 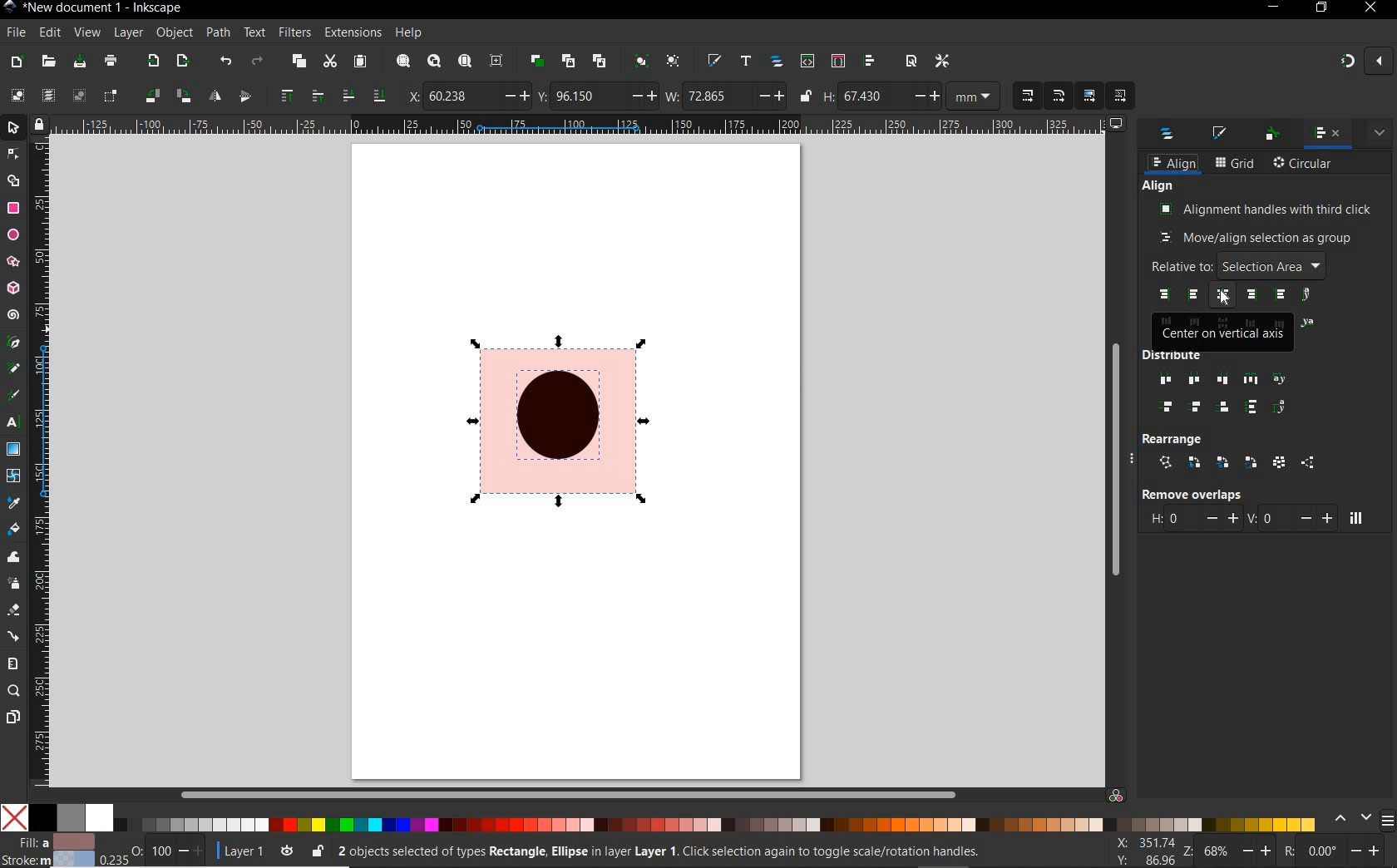 What do you see at coordinates (1280, 407) in the screenshot?
I see `DISTRIBUTE TEXT OBJECTS` at bounding box center [1280, 407].